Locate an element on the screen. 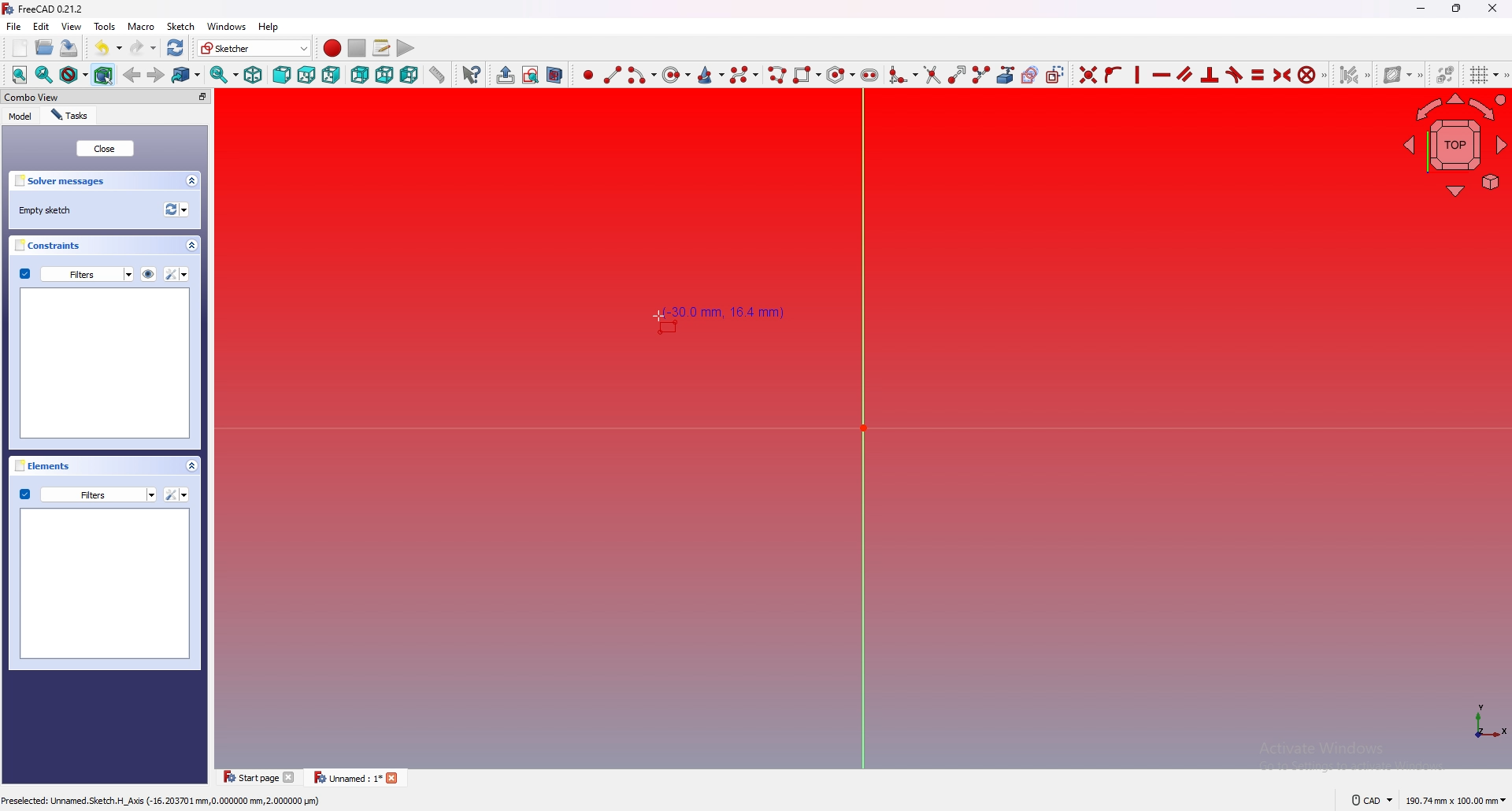 This screenshot has width=1512, height=811. toggle grid is located at coordinates (1485, 75).